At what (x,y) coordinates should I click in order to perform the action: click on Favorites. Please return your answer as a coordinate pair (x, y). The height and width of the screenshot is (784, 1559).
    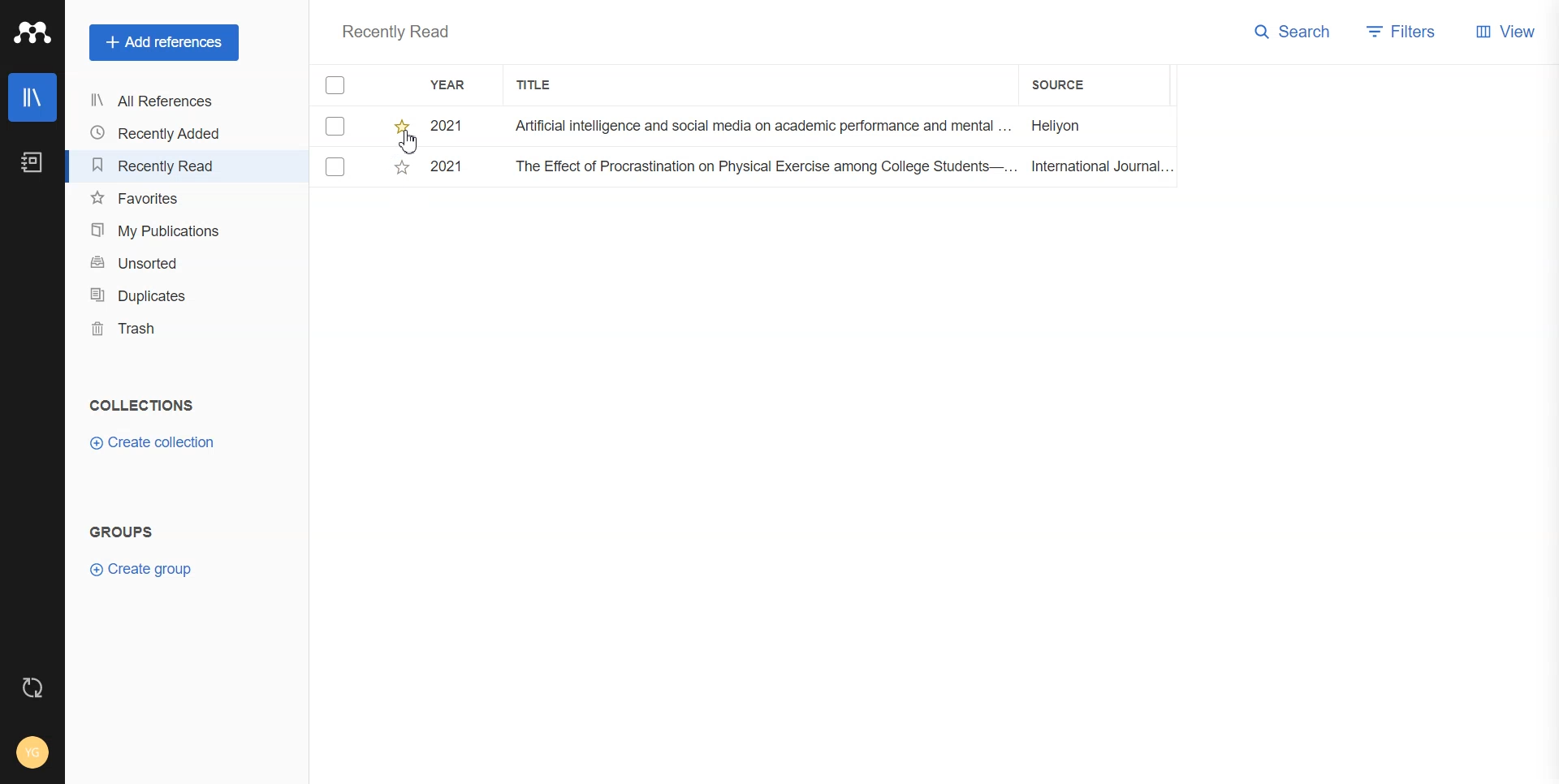
    Looking at the image, I should click on (160, 196).